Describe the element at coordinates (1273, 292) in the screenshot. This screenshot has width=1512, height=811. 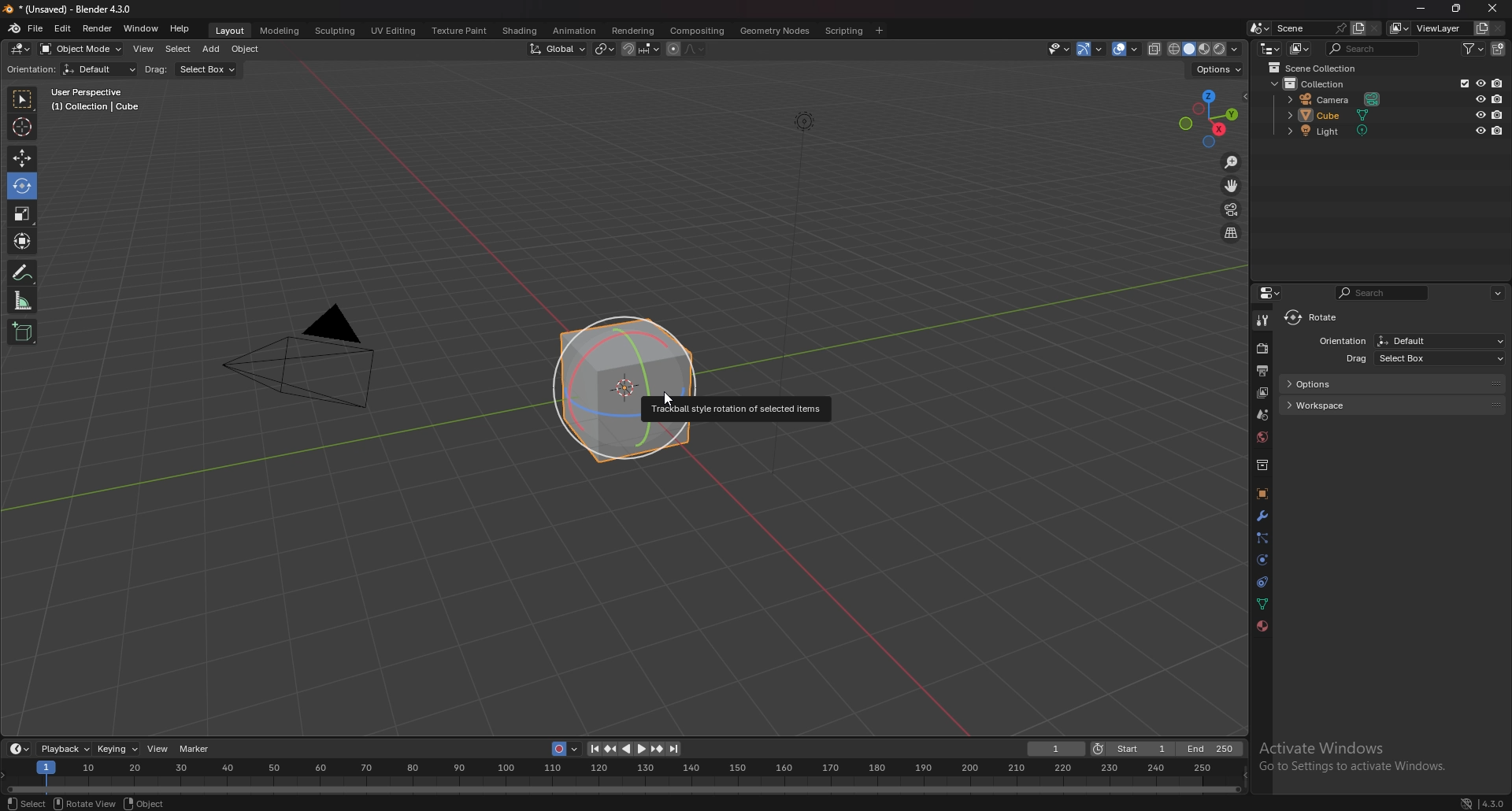
I see `editor type` at that location.